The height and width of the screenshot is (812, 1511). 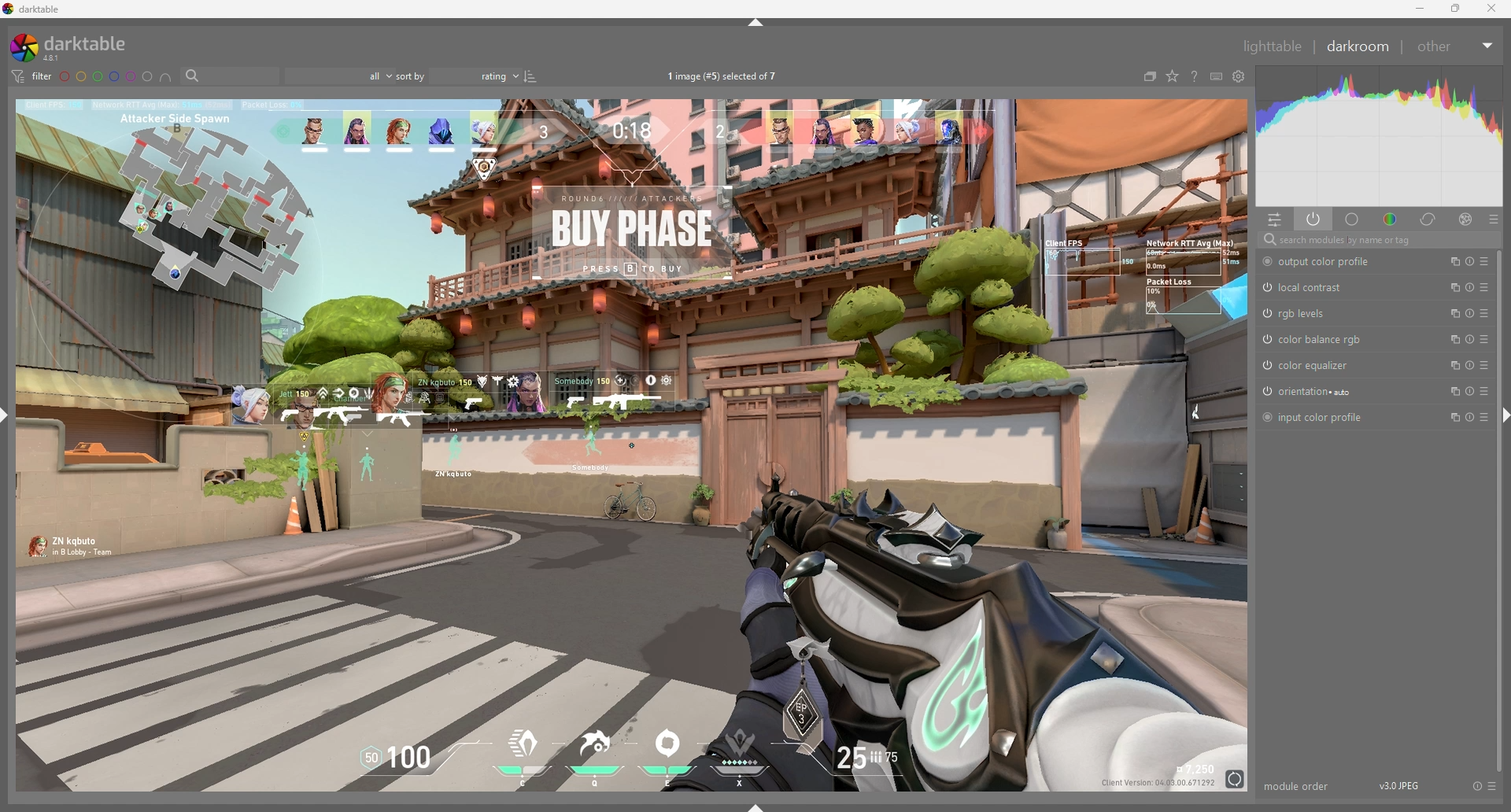 I want to click on presets, so click(x=1484, y=313).